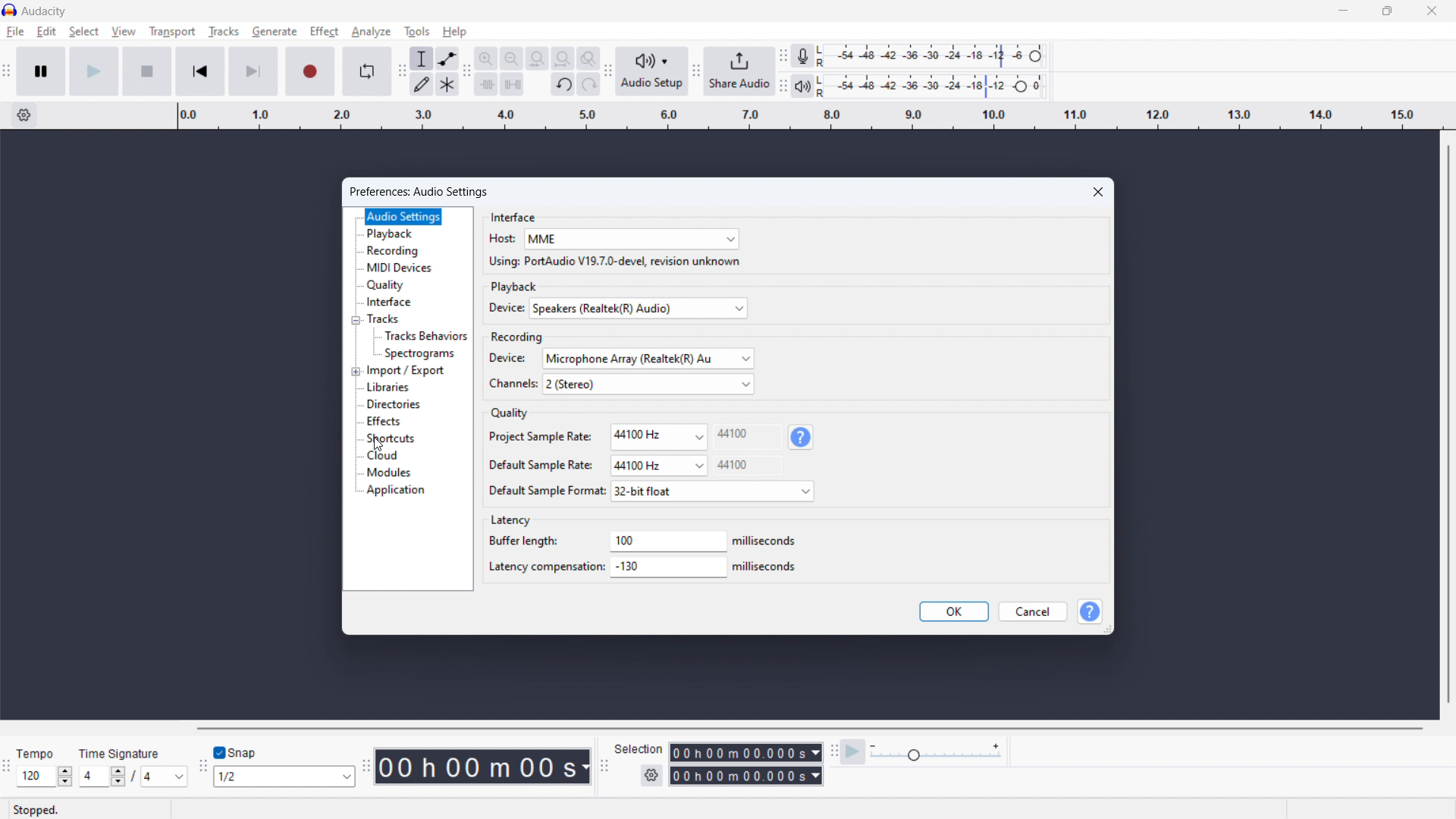  What do you see at coordinates (93, 777) in the screenshot?
I see `Input time signature` at bounding box center [93, 777].